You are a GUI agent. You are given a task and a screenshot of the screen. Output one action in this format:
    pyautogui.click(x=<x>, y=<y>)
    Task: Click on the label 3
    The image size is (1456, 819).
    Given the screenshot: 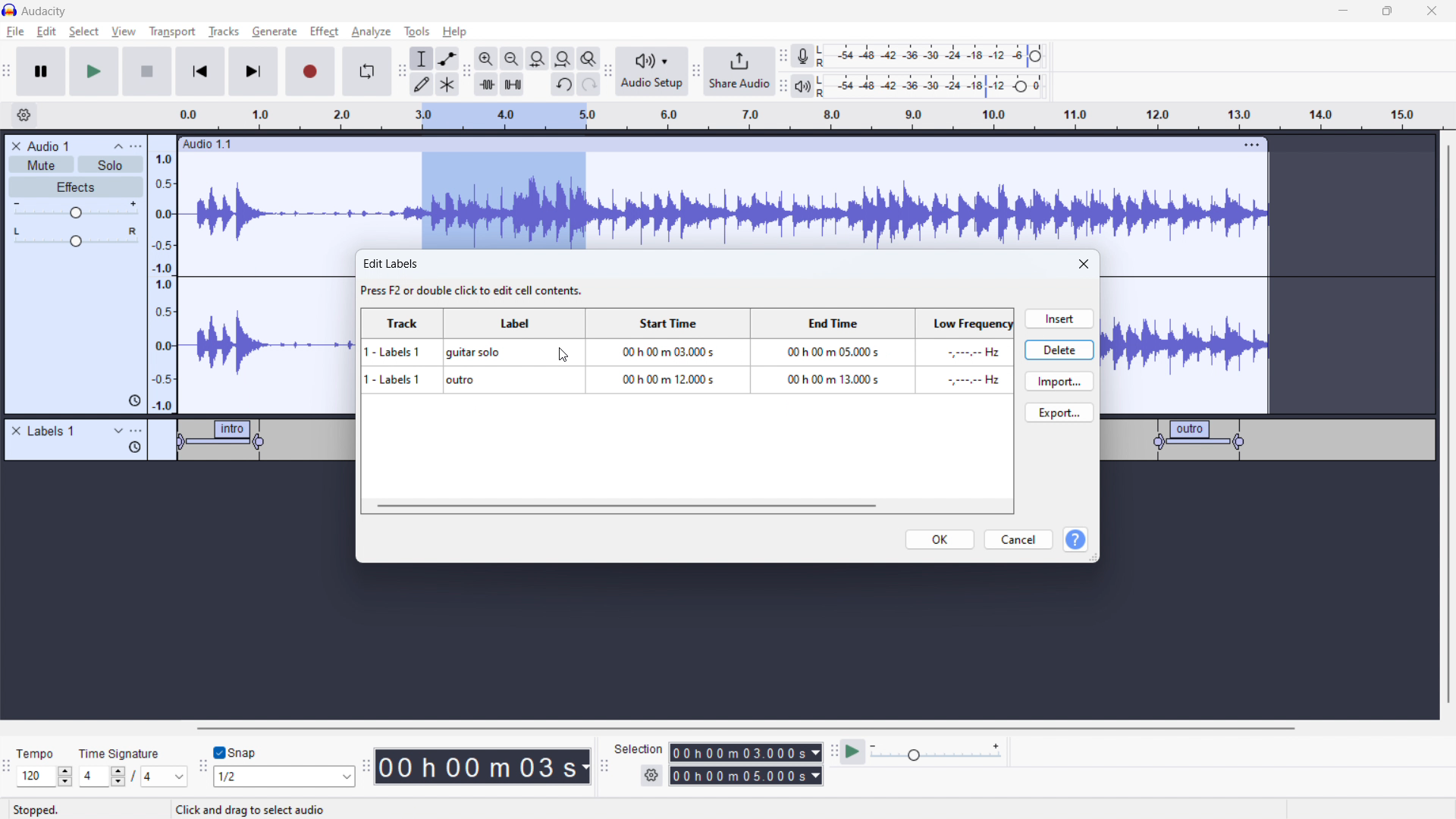 What is the action you would take?
    pyautogui.click(x=1200, y=439)
    